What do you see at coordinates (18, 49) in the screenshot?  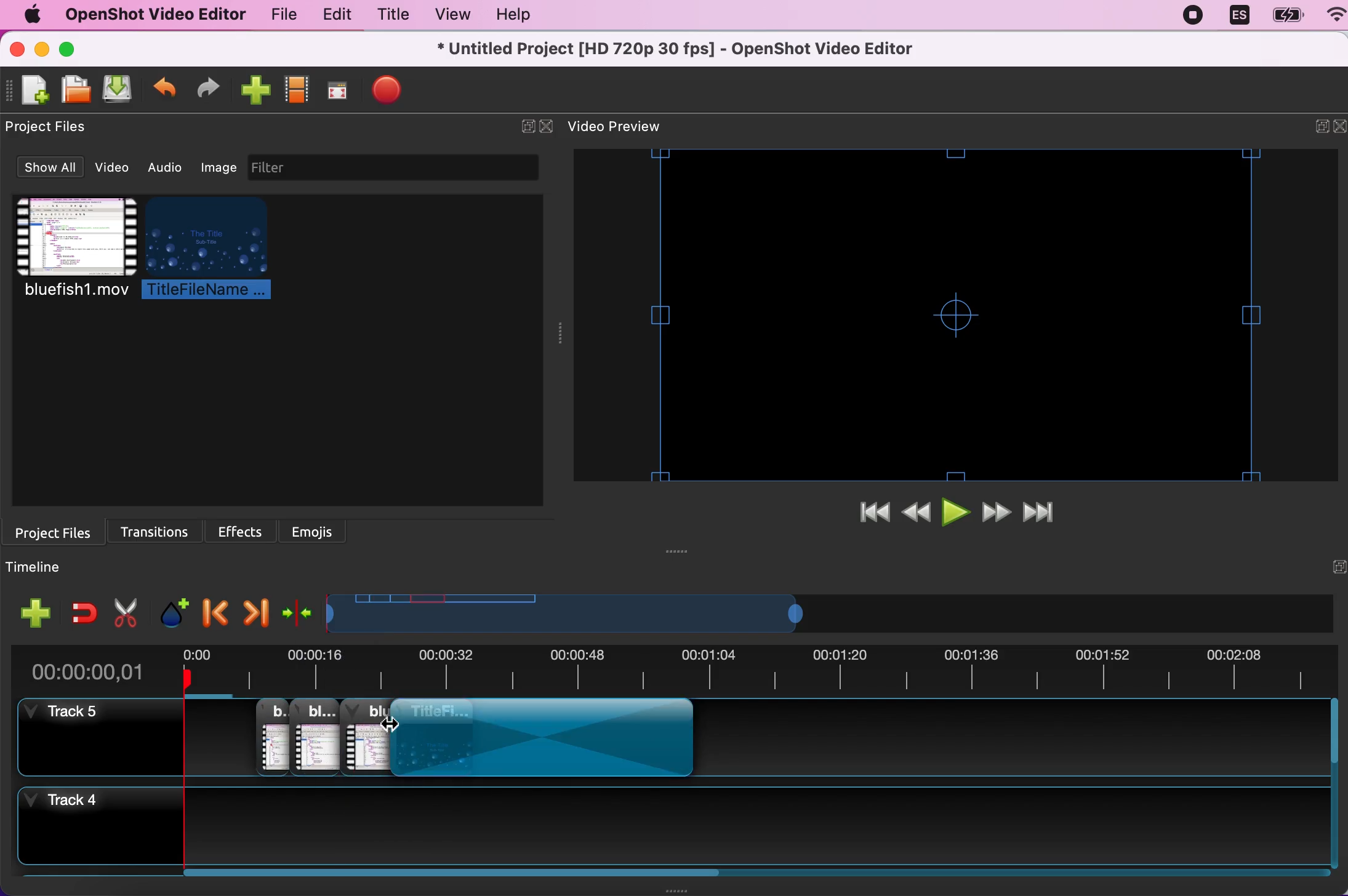 I see `close` at bounding box center [18, 49].